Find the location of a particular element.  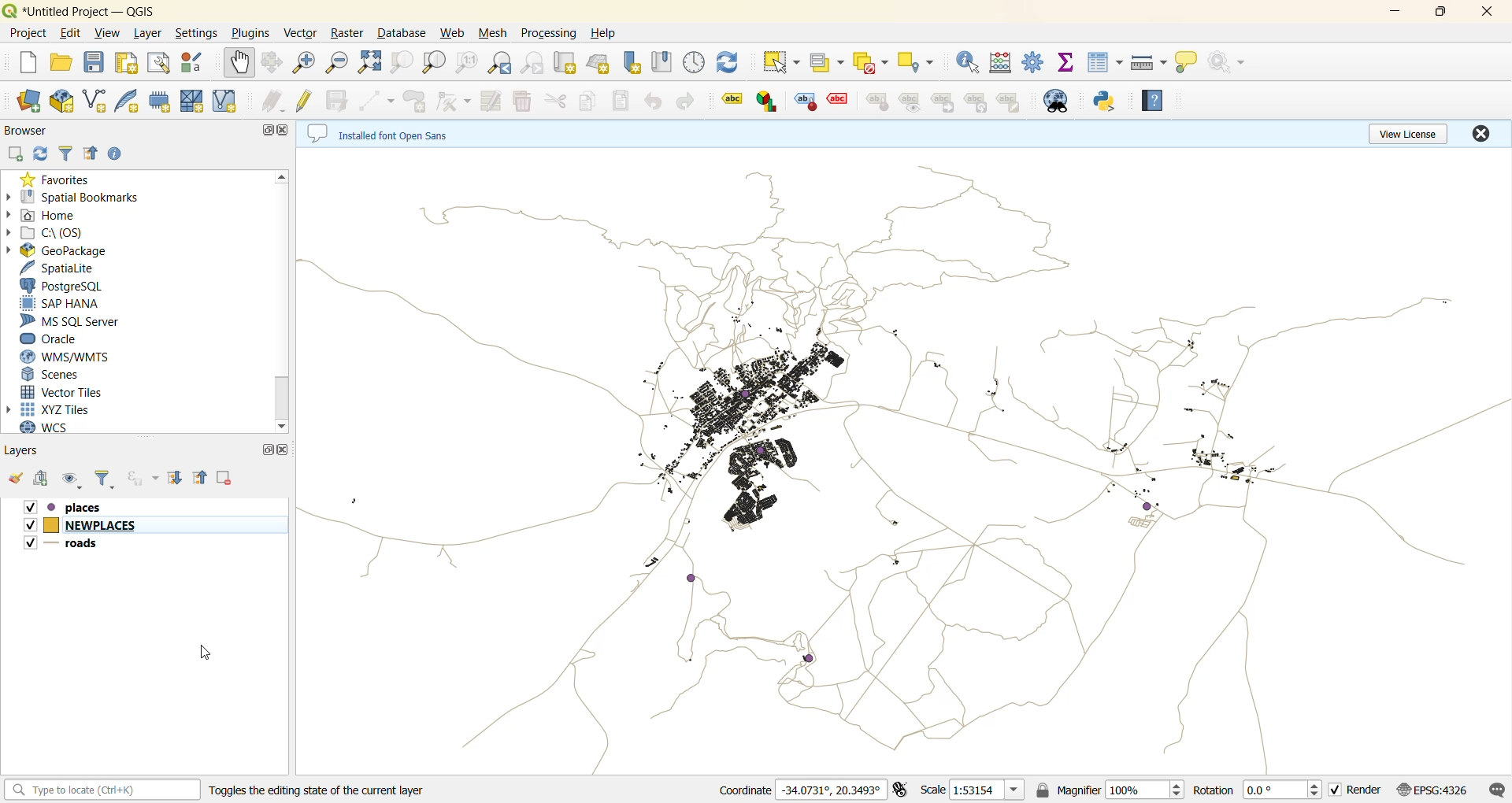

scale is located at coordinates (985, 791).